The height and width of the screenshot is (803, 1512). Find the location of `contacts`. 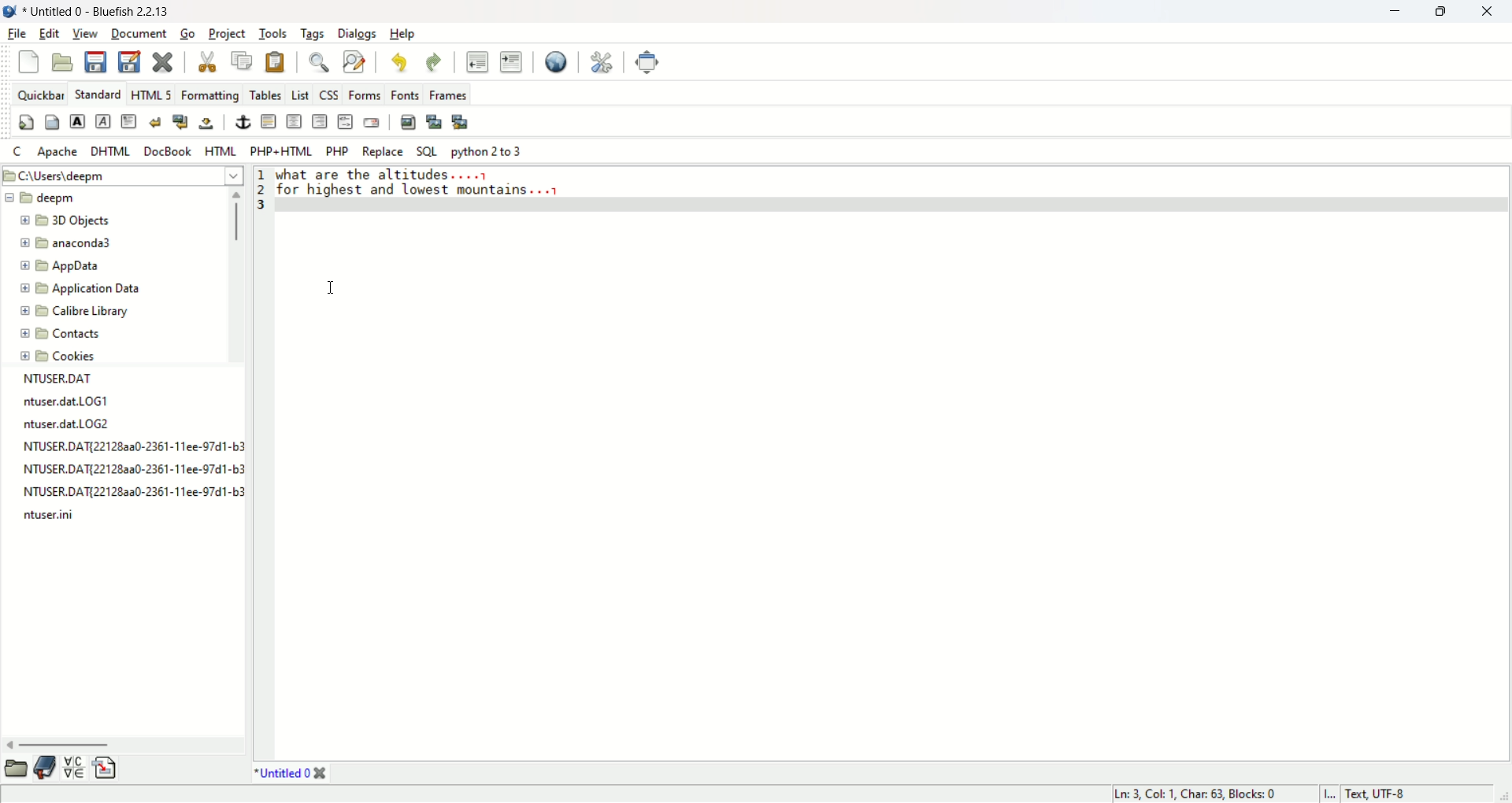

contacts is located at coordinates (58, 331).